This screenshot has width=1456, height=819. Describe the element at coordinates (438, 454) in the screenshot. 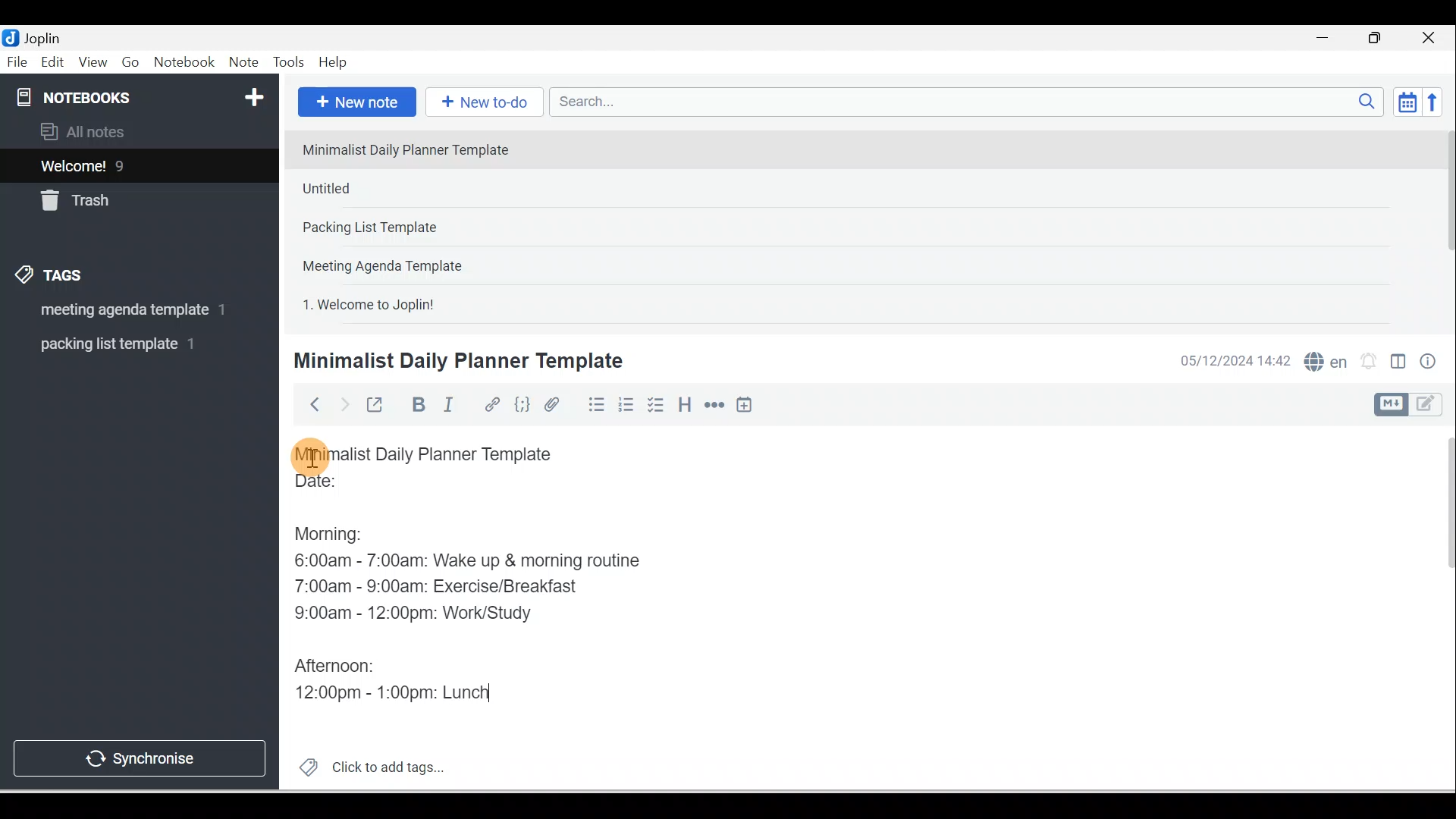

I see `Minimalist Daily Planner Template` at that location.